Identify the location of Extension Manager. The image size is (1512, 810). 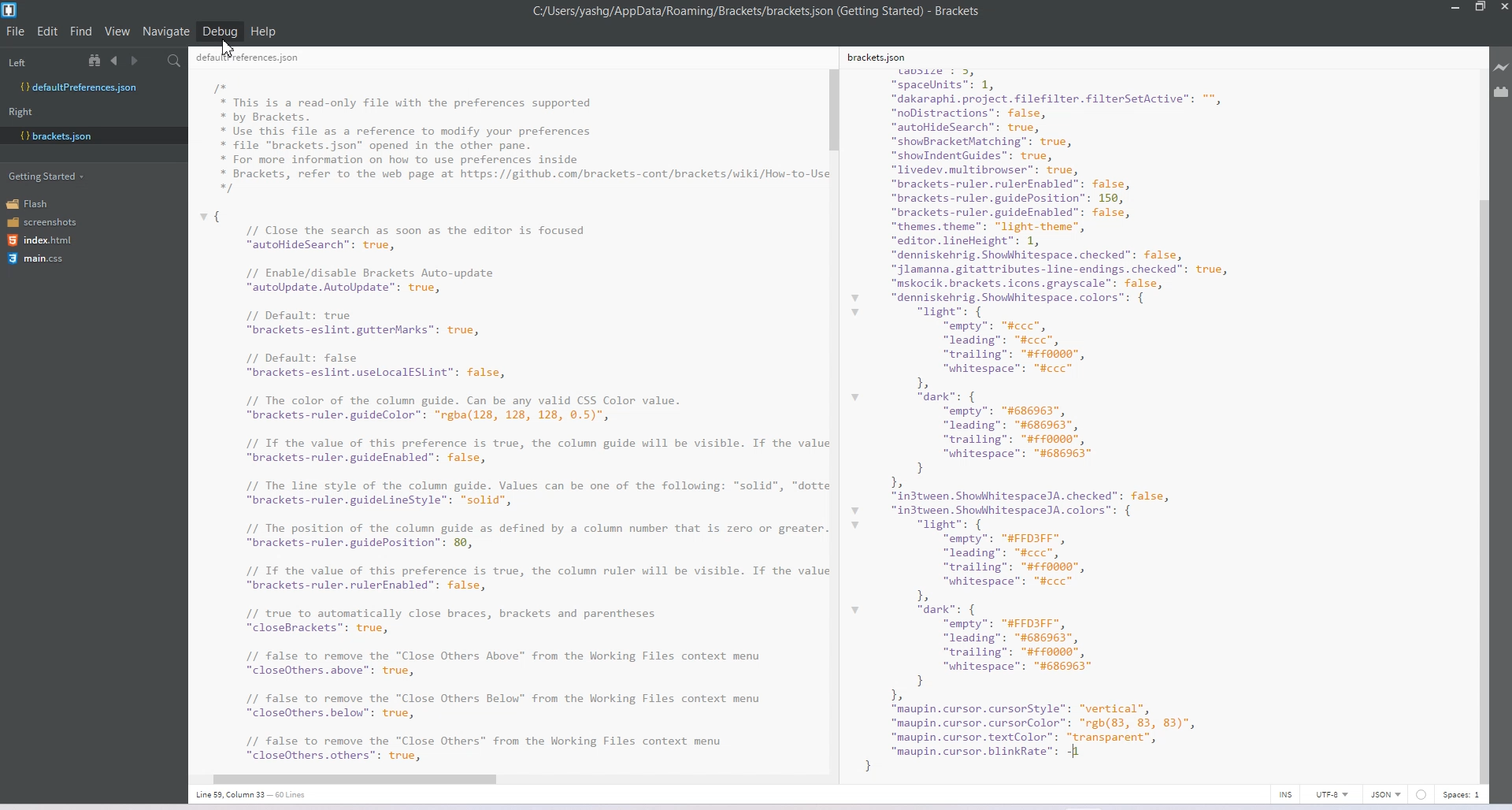
(1502, 95).